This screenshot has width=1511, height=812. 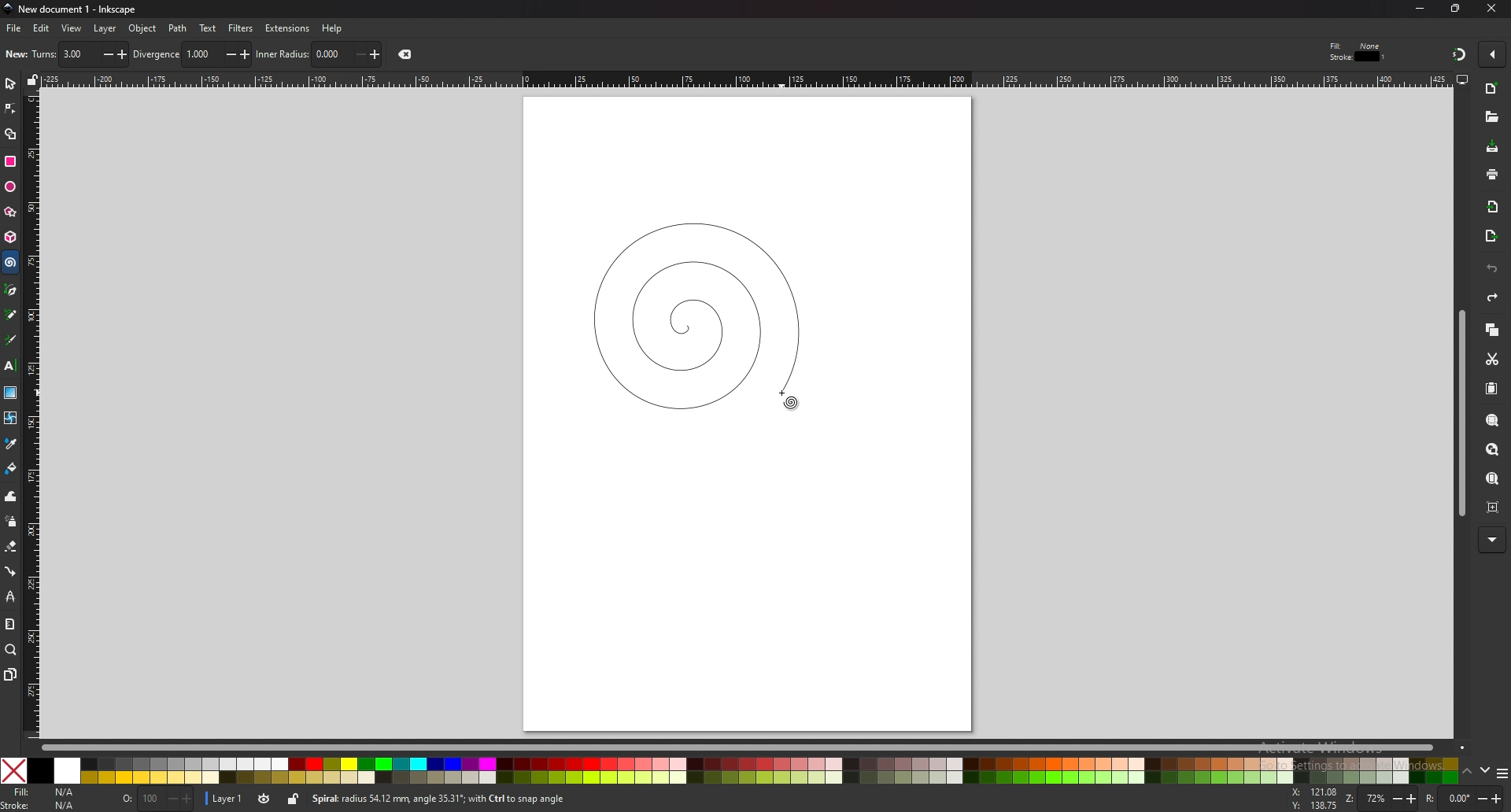 I want to click on lpe, so click(x=10, y=598).